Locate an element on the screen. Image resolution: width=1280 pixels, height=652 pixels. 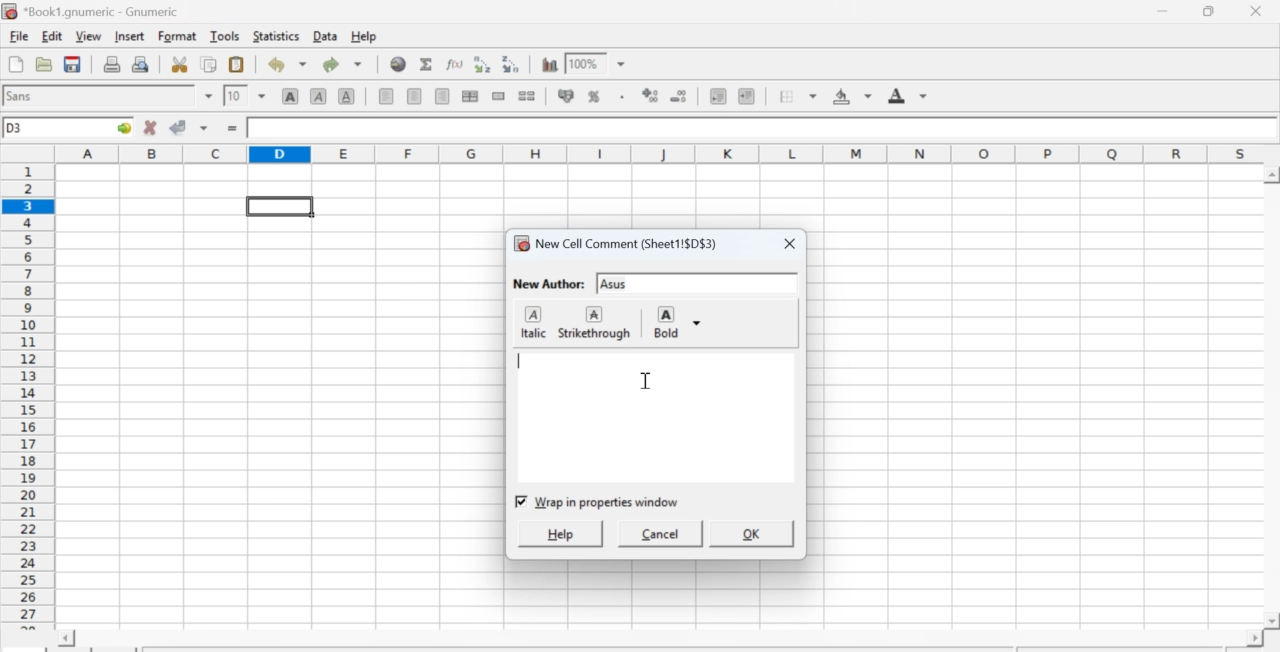
close is located at coordinates (789, 241).